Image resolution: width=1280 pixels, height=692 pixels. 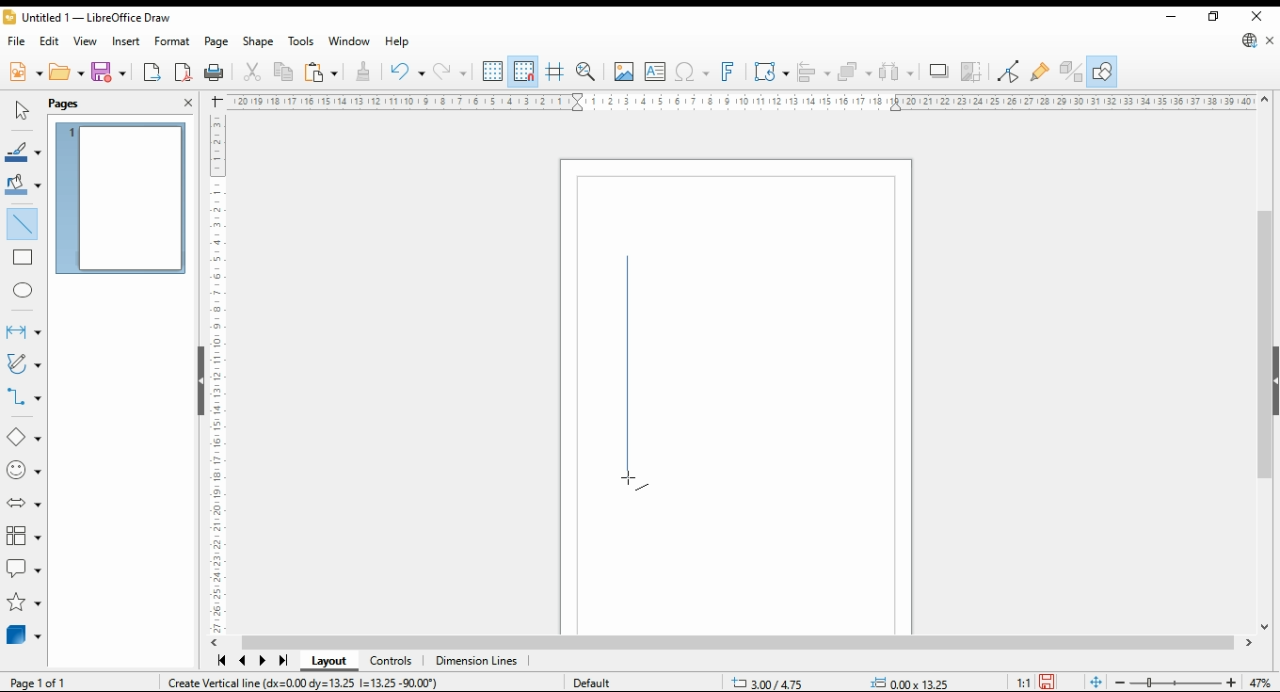 What do you see at coordinates (24, 569) in the screenshot?
I see `callout shapes` at bounding box center [24, 569].